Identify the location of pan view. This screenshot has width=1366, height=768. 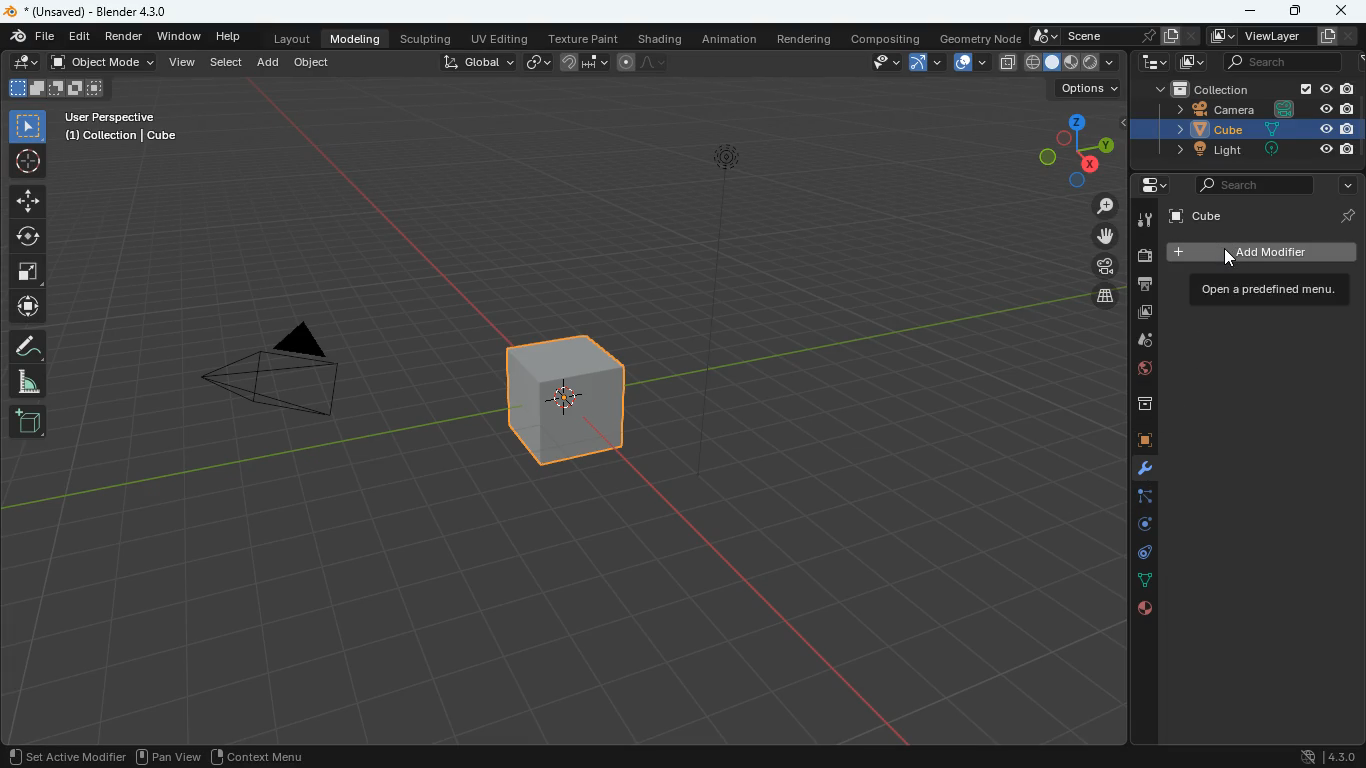
(172, 755).